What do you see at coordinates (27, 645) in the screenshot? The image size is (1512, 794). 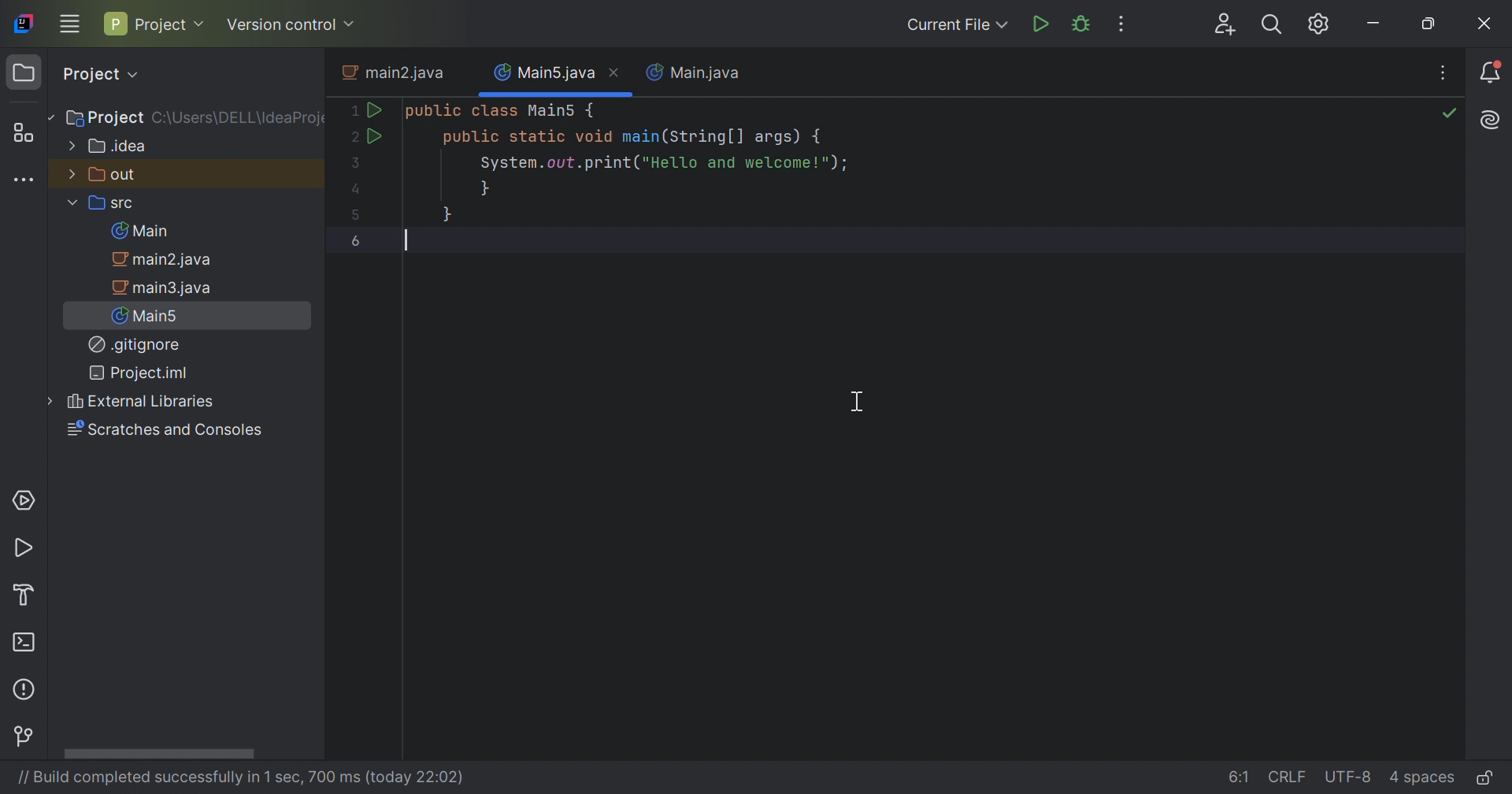 I see `Terminal` at bounding box center [27, 645].